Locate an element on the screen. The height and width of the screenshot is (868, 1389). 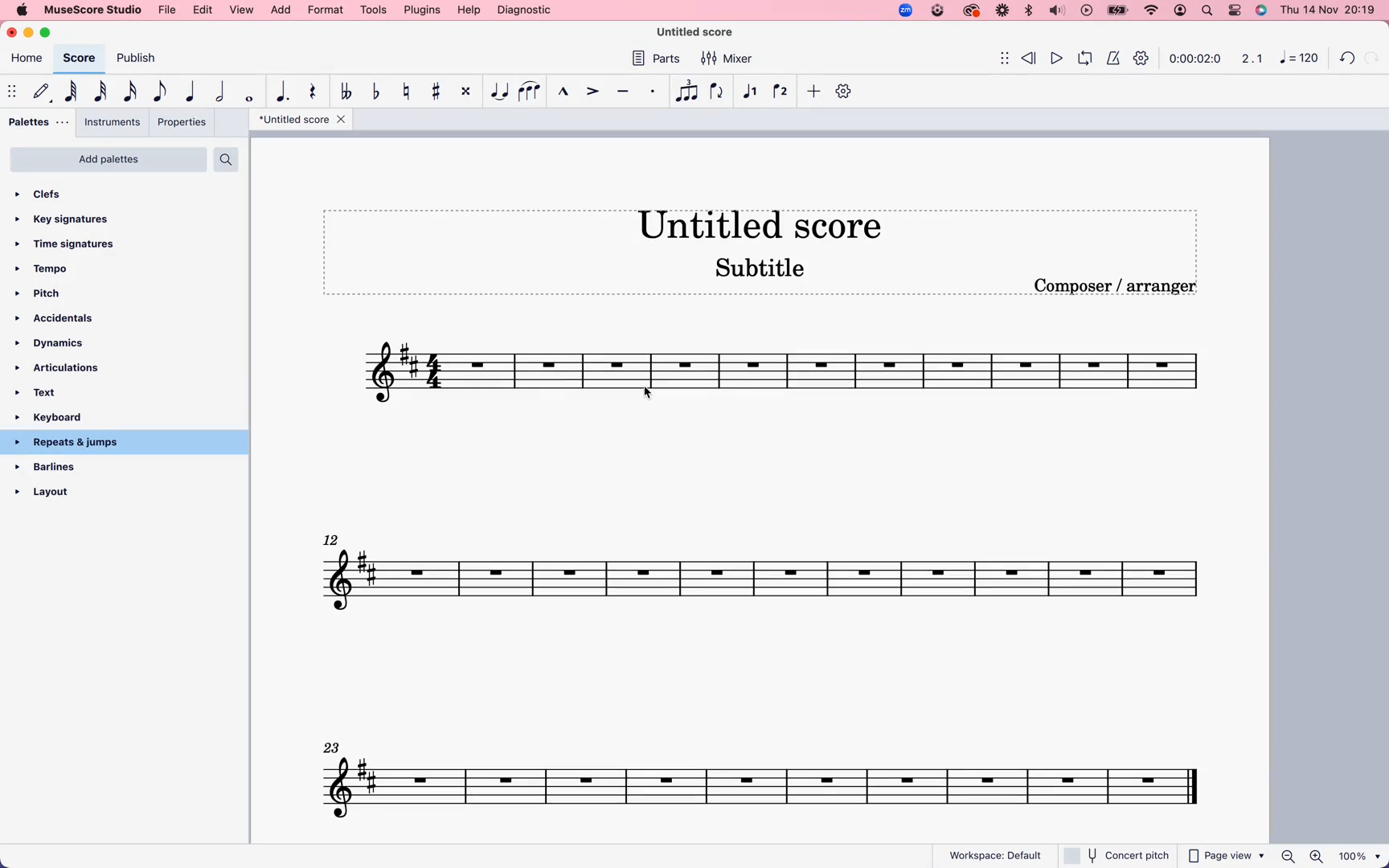
loom is located at coordinates (1001, 11).